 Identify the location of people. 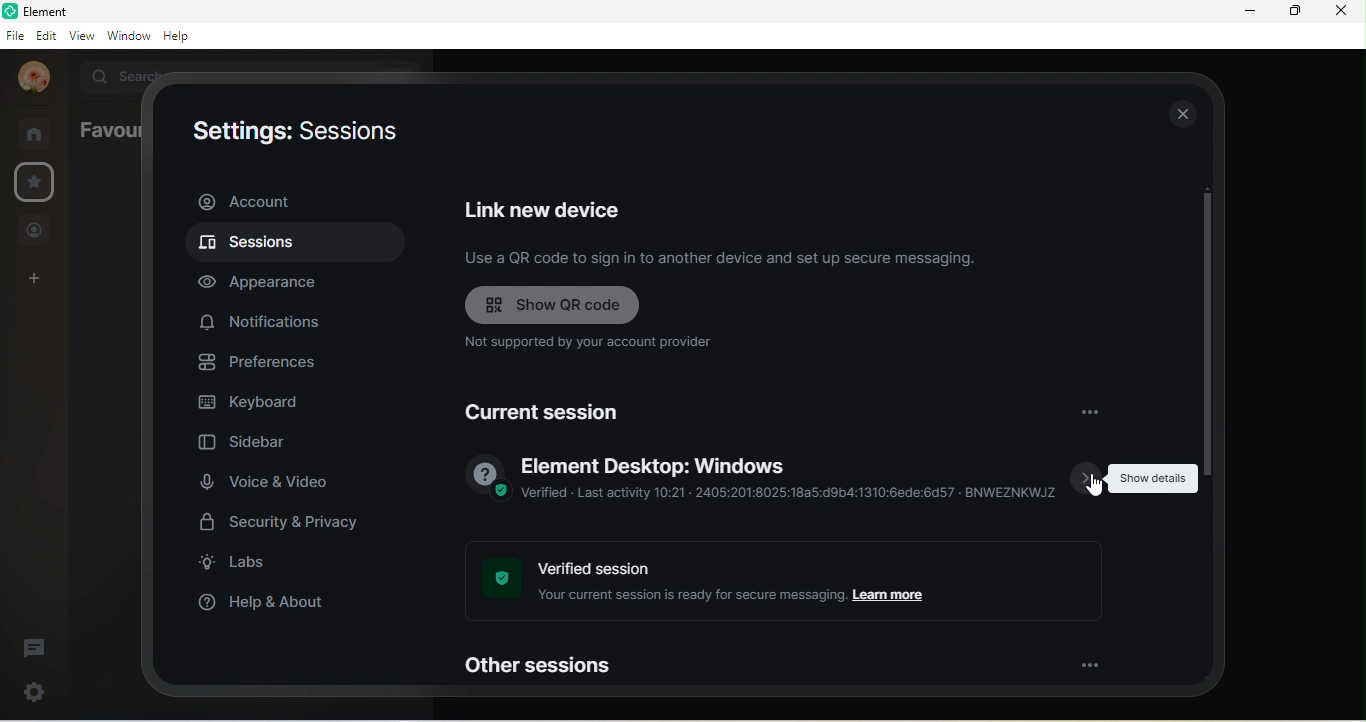
(35, 232).